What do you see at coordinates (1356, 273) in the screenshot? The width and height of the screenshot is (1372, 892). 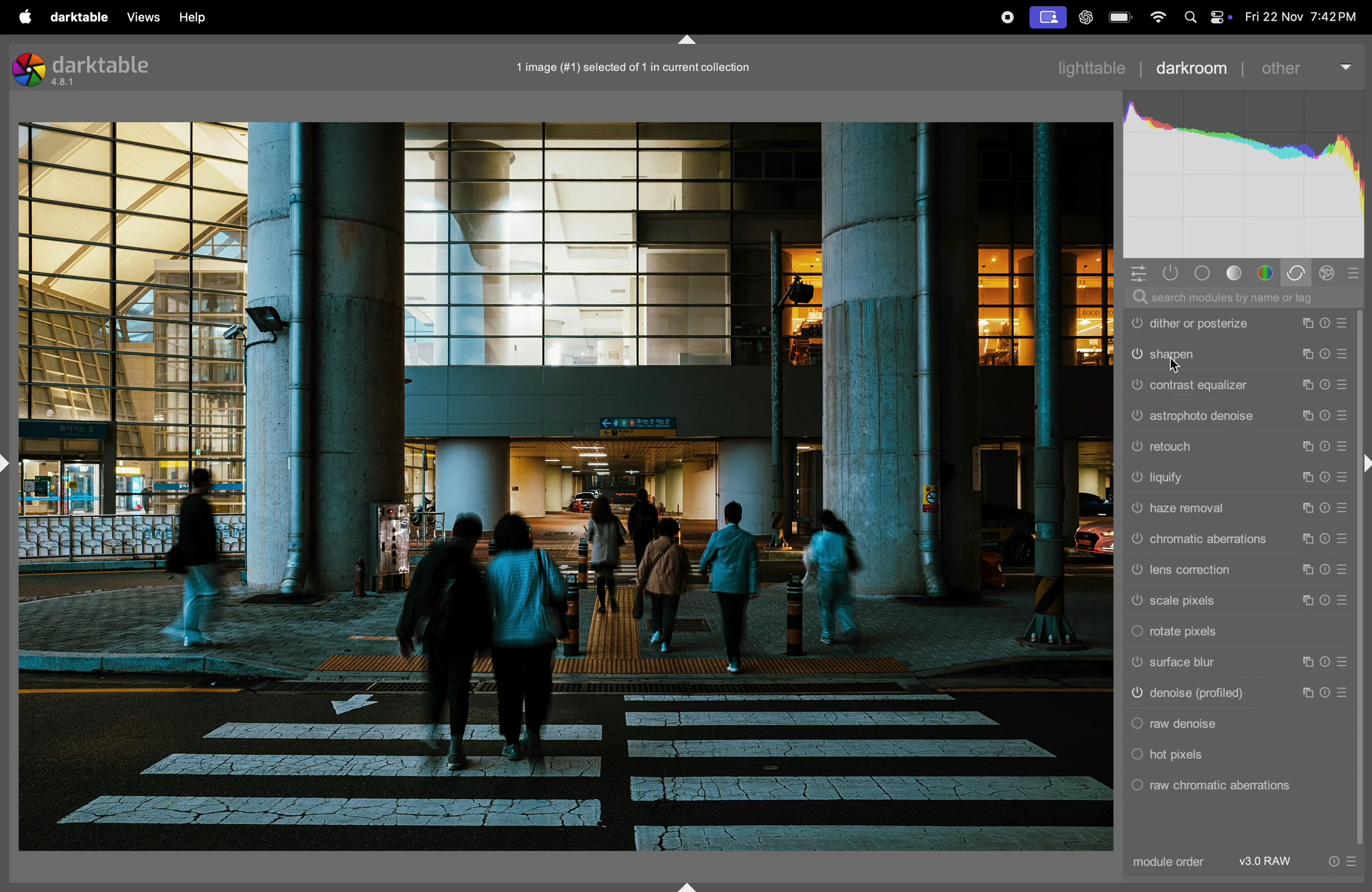 I see `reset` at bounding box center [1356, 273].